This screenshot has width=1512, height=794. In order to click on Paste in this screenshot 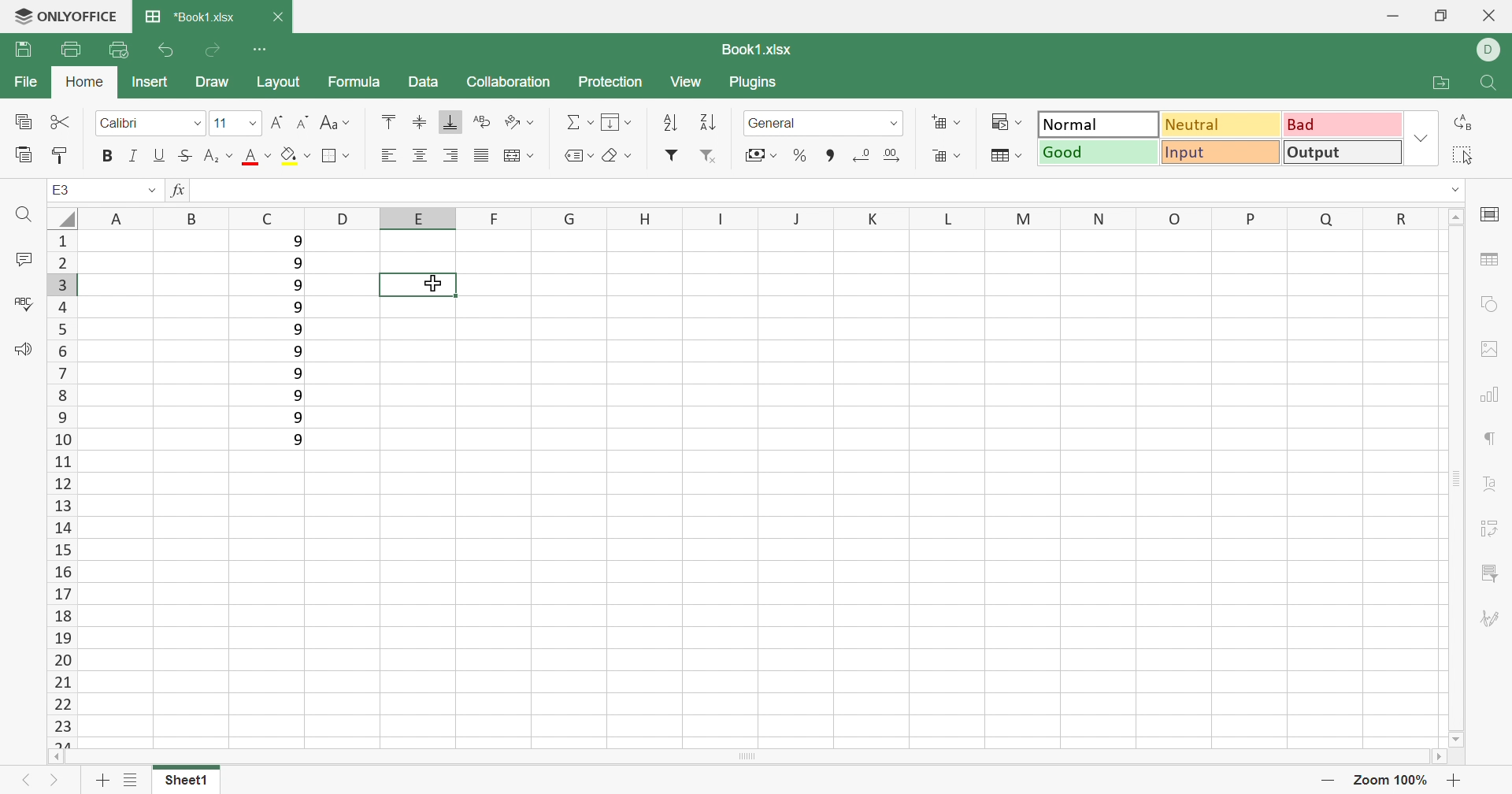, I will do `click(23, 155)`.